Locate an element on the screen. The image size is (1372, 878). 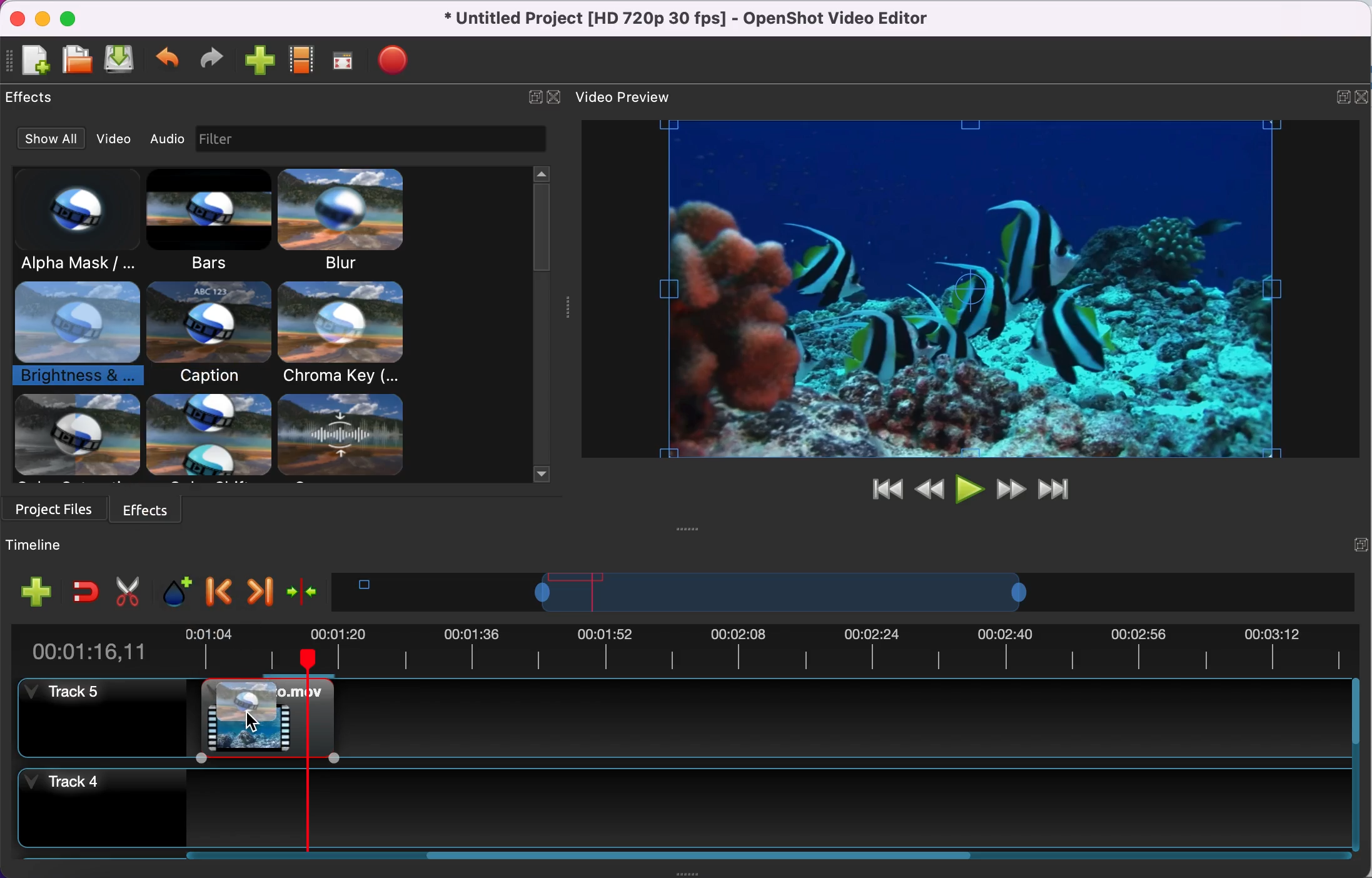
jump to end is located at coordinates (1056, 490).